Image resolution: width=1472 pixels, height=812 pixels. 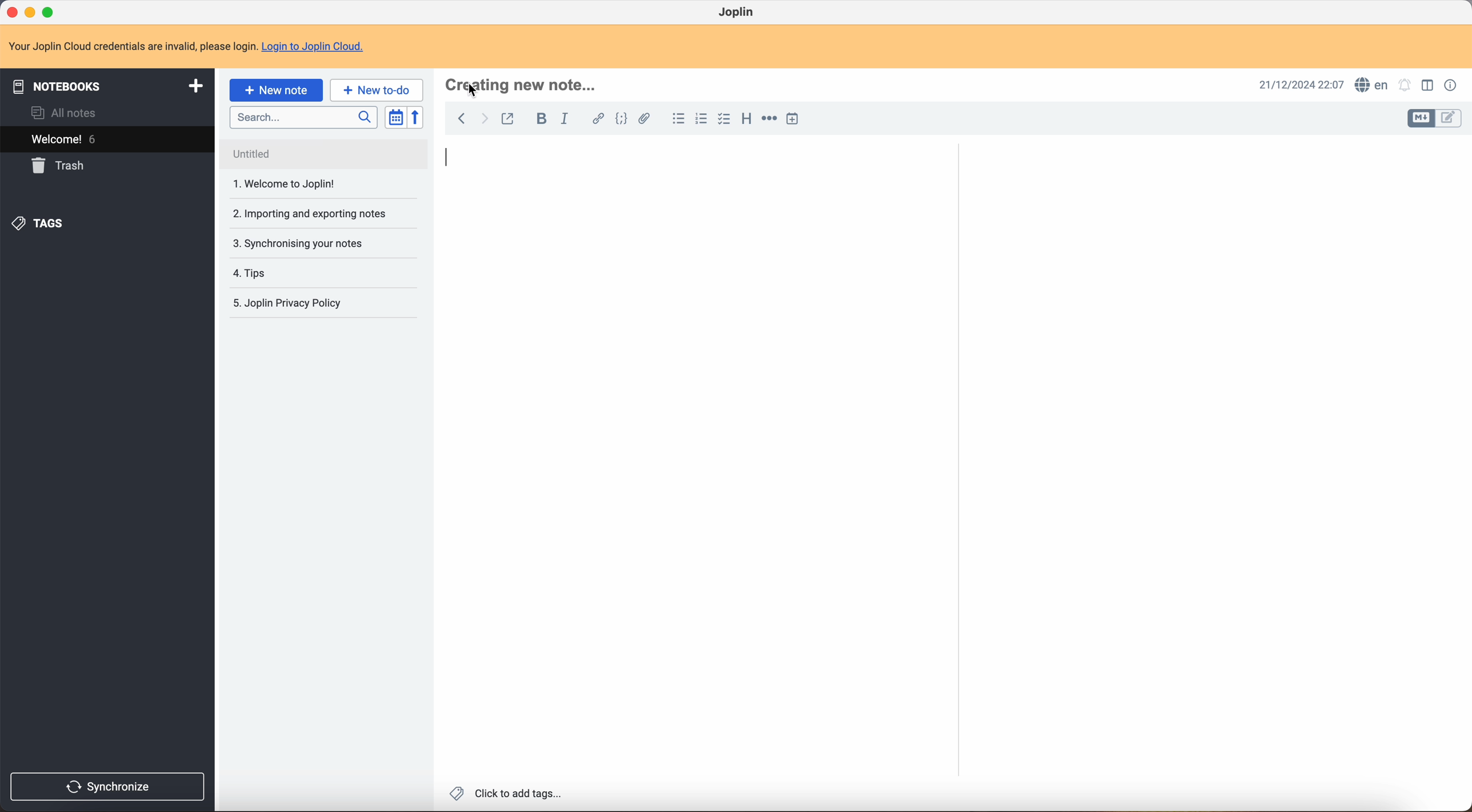 I want to click on note, so click(x=187, y=47).